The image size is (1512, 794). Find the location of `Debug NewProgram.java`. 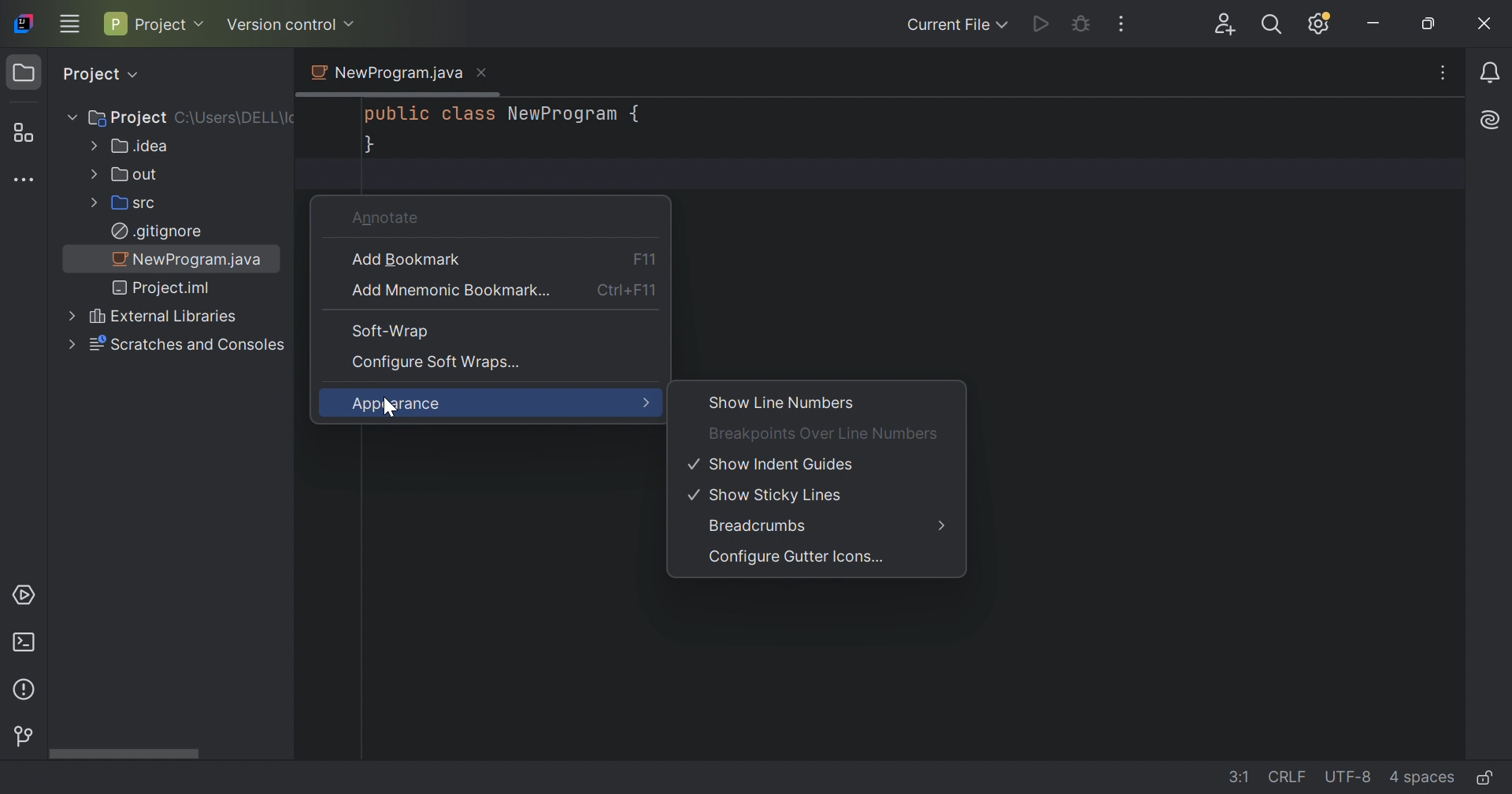

Debug NewProgram.java is located at coordinates (1080, 23).